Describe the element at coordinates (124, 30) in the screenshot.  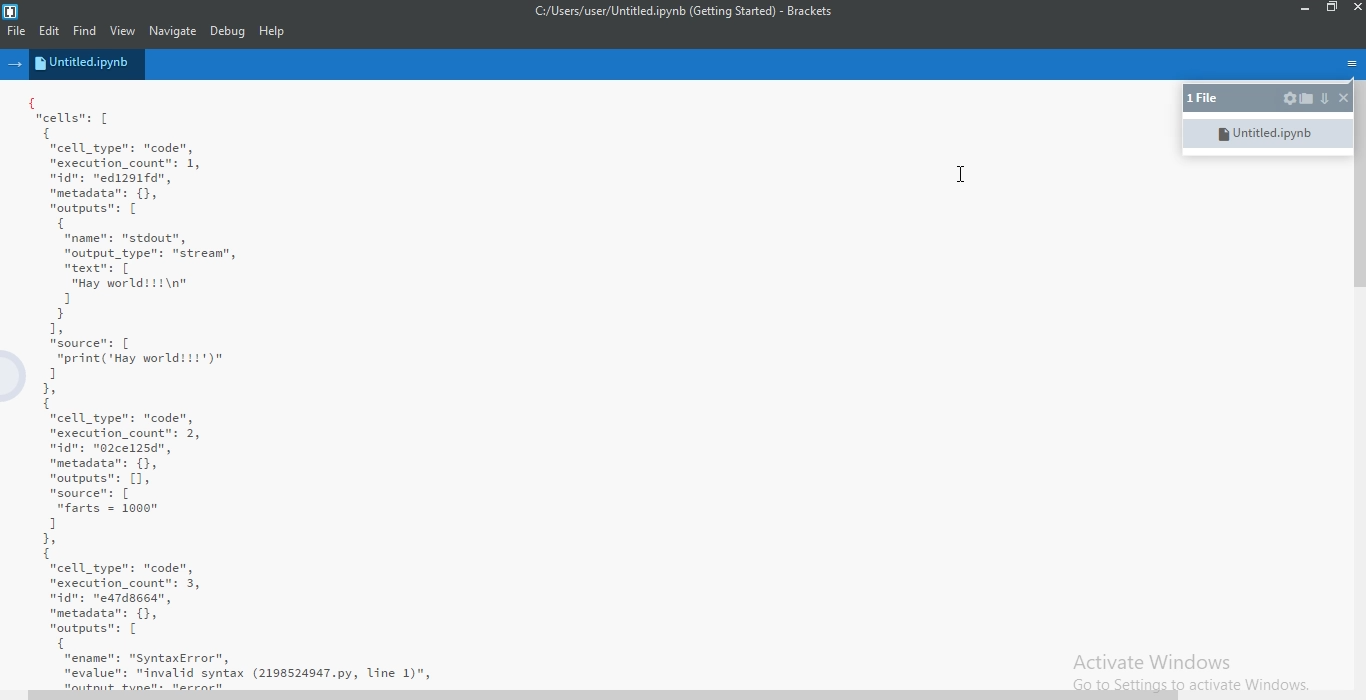
I see `View` at that location.